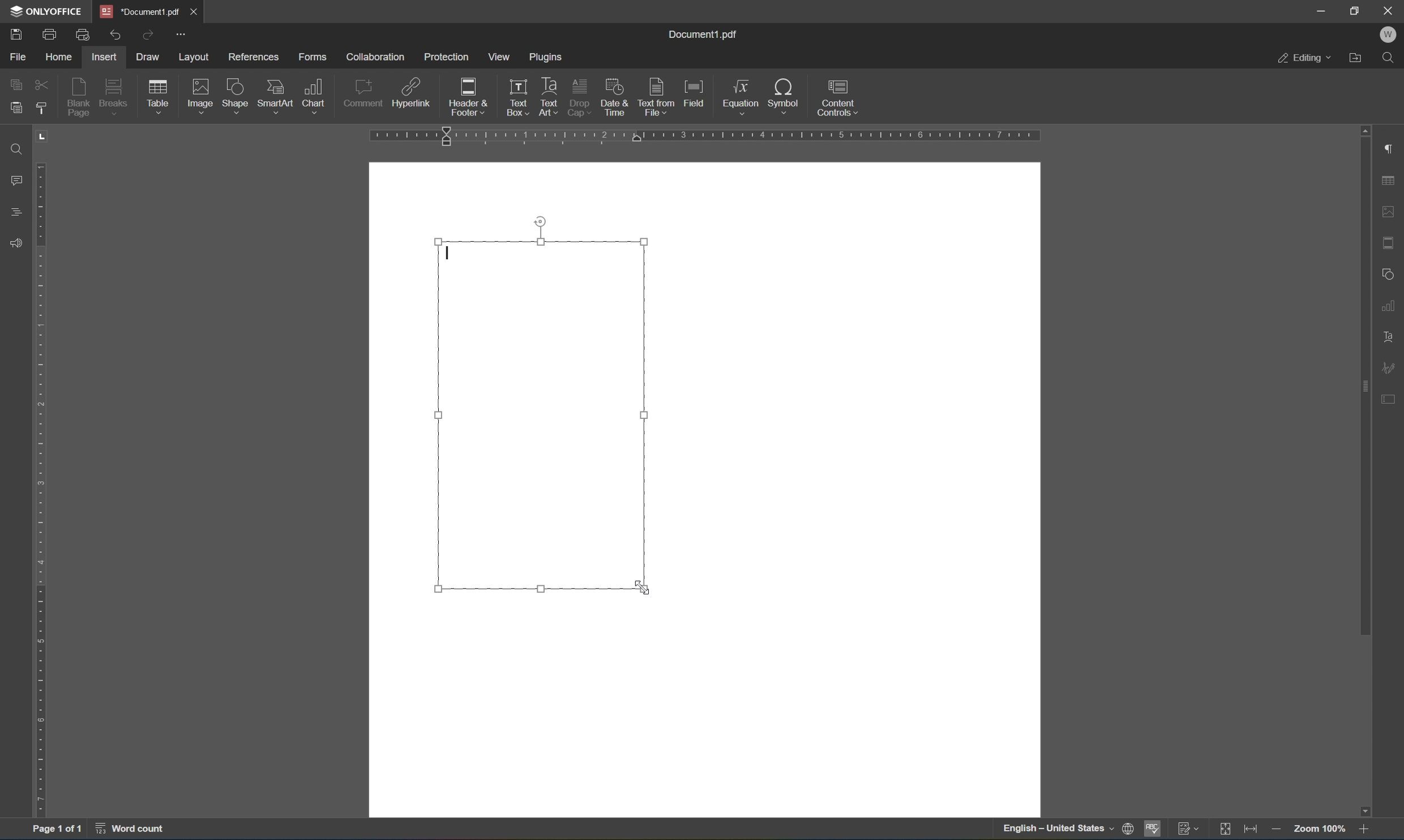  I want to click on header and footer, so click(469, 98).